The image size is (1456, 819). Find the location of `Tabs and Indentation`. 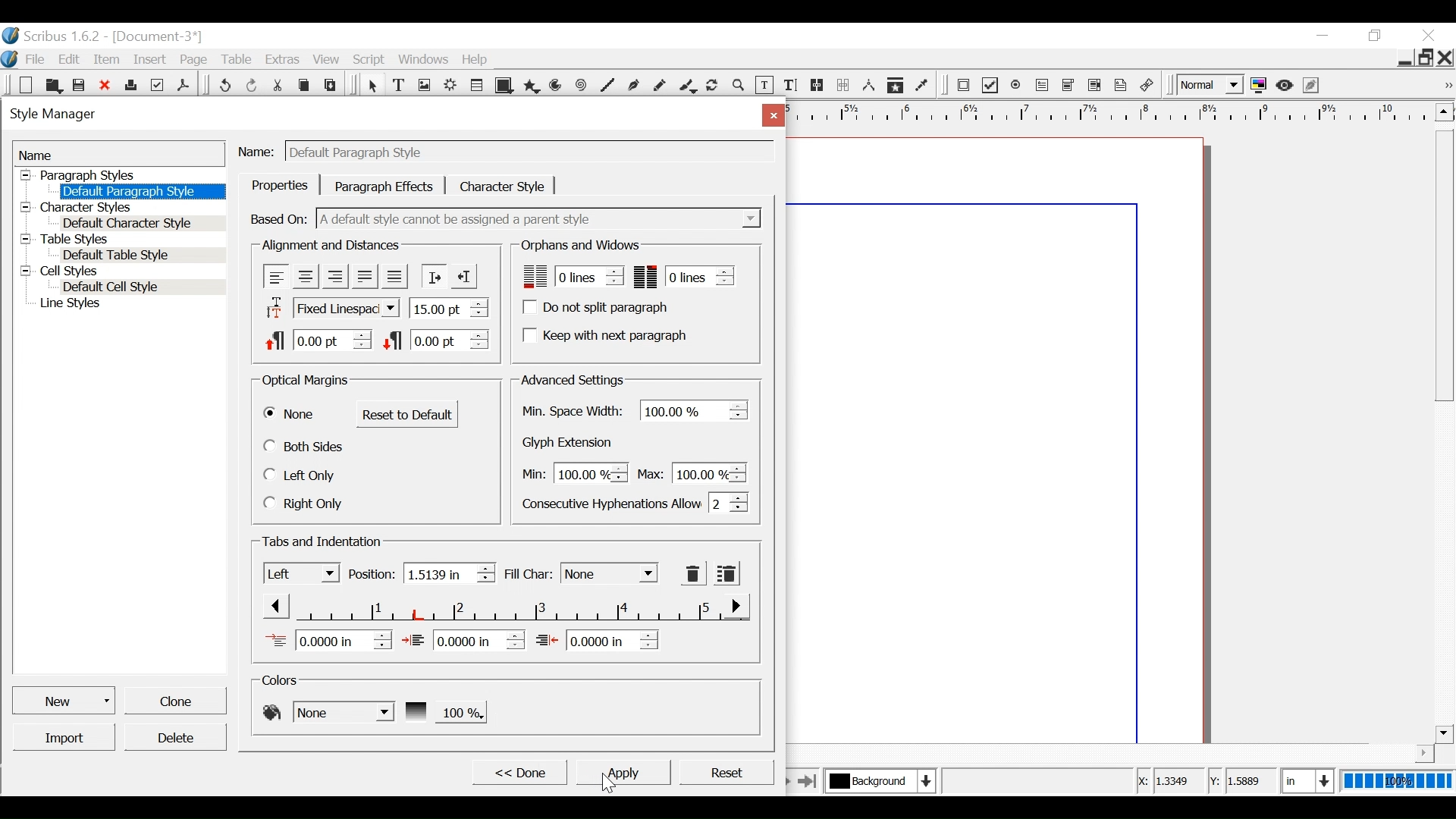

Tabs and Indentation is located at coordinates (324, 542).